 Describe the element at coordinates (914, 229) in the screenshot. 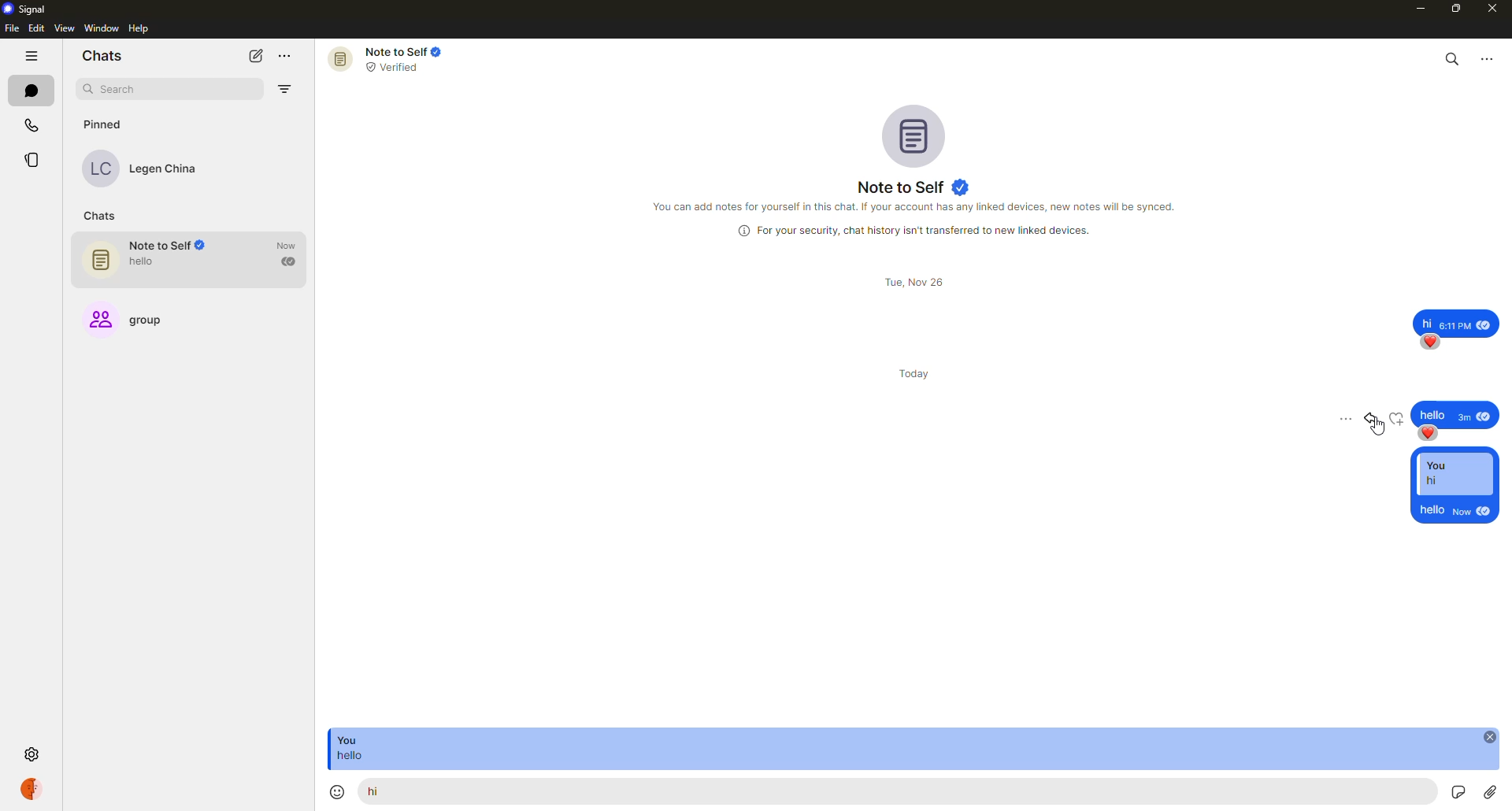

I see `info` at that location.